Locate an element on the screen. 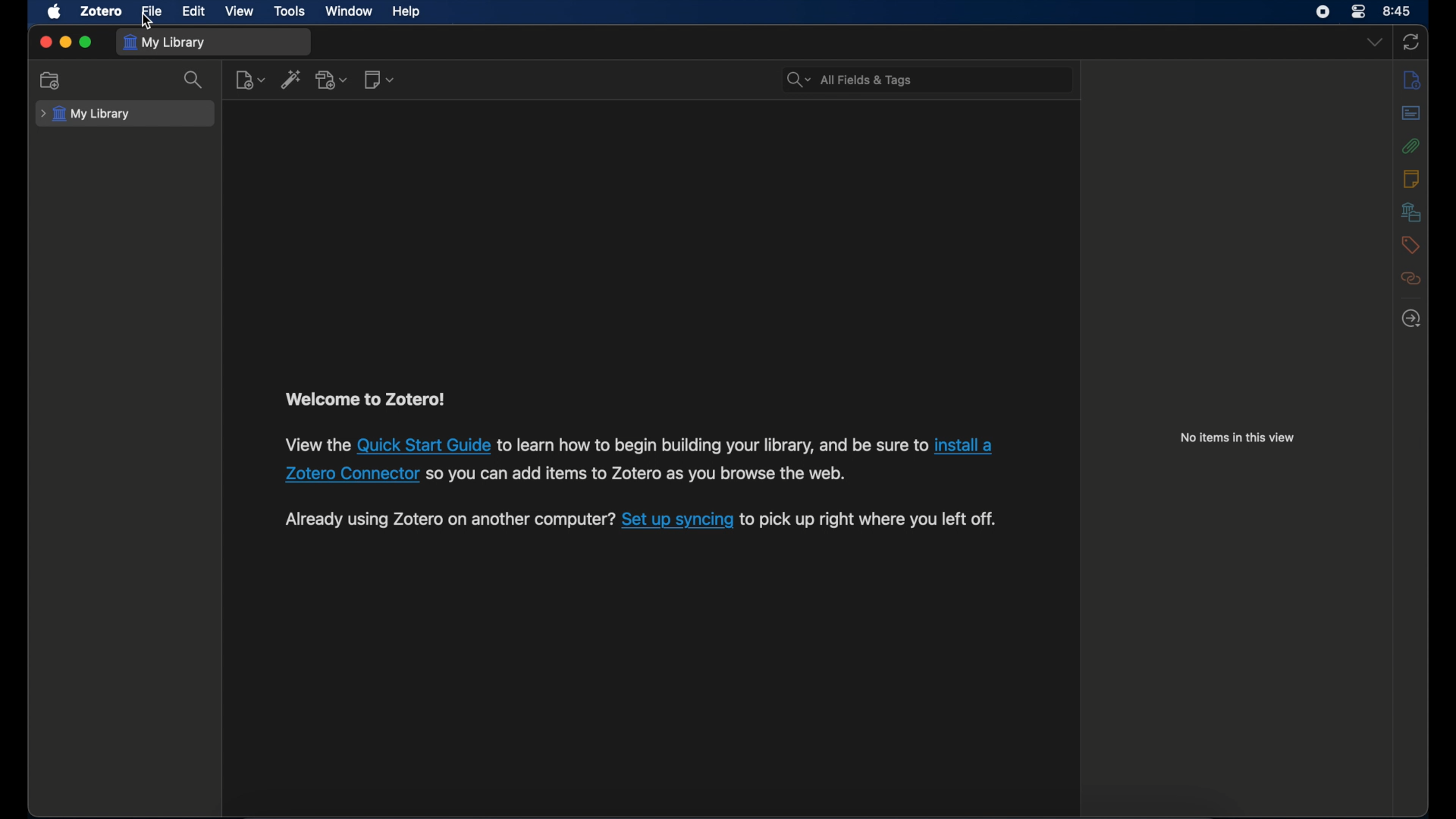 The width and height of the screenshot is (1456, 819). info is located at coordinates (1414, 80).